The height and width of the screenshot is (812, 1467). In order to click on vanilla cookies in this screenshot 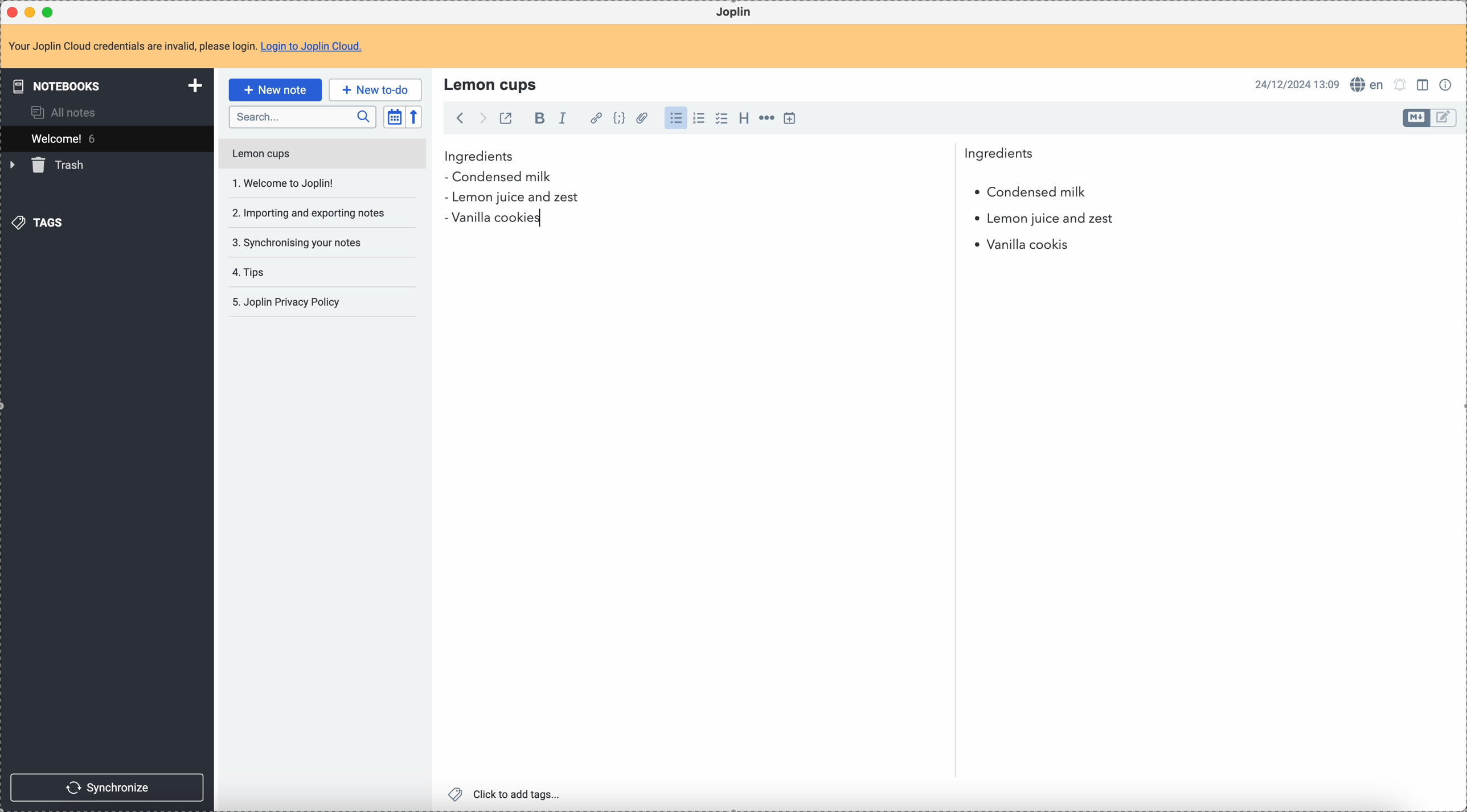, I will do `click(1021, 245)`.